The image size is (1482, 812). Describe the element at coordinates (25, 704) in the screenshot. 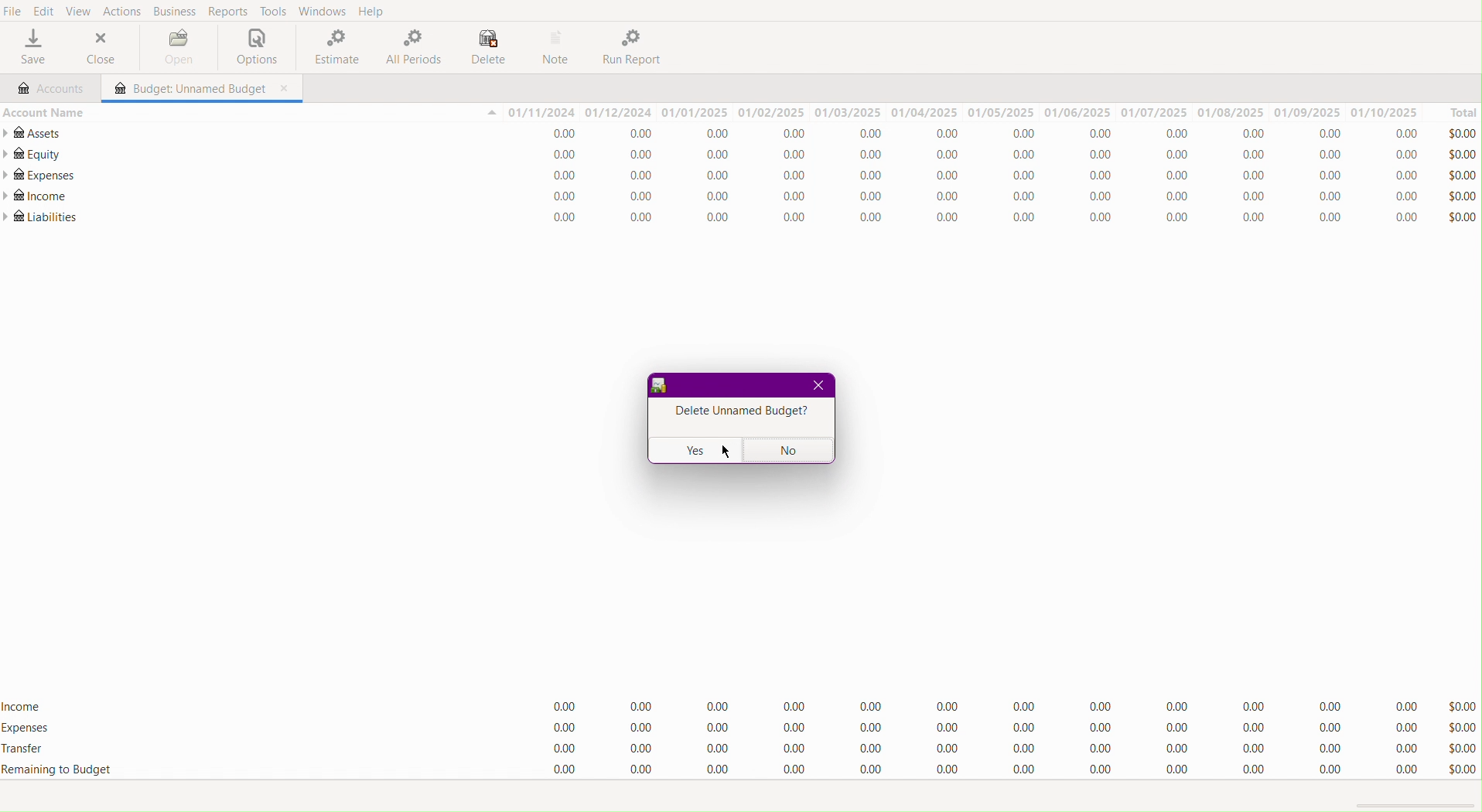

I see `Income` at that location.